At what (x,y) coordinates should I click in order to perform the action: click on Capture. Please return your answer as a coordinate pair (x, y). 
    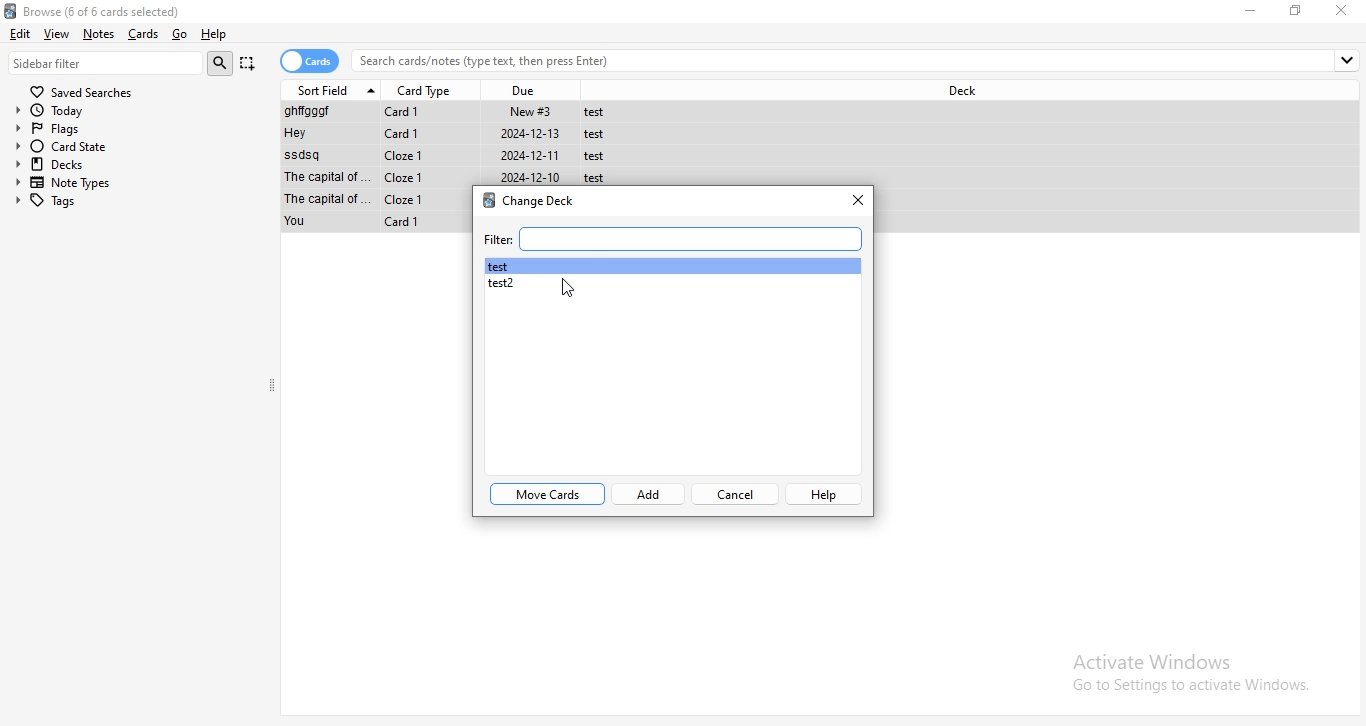
    Looking at the image, I should click on (248, 63).